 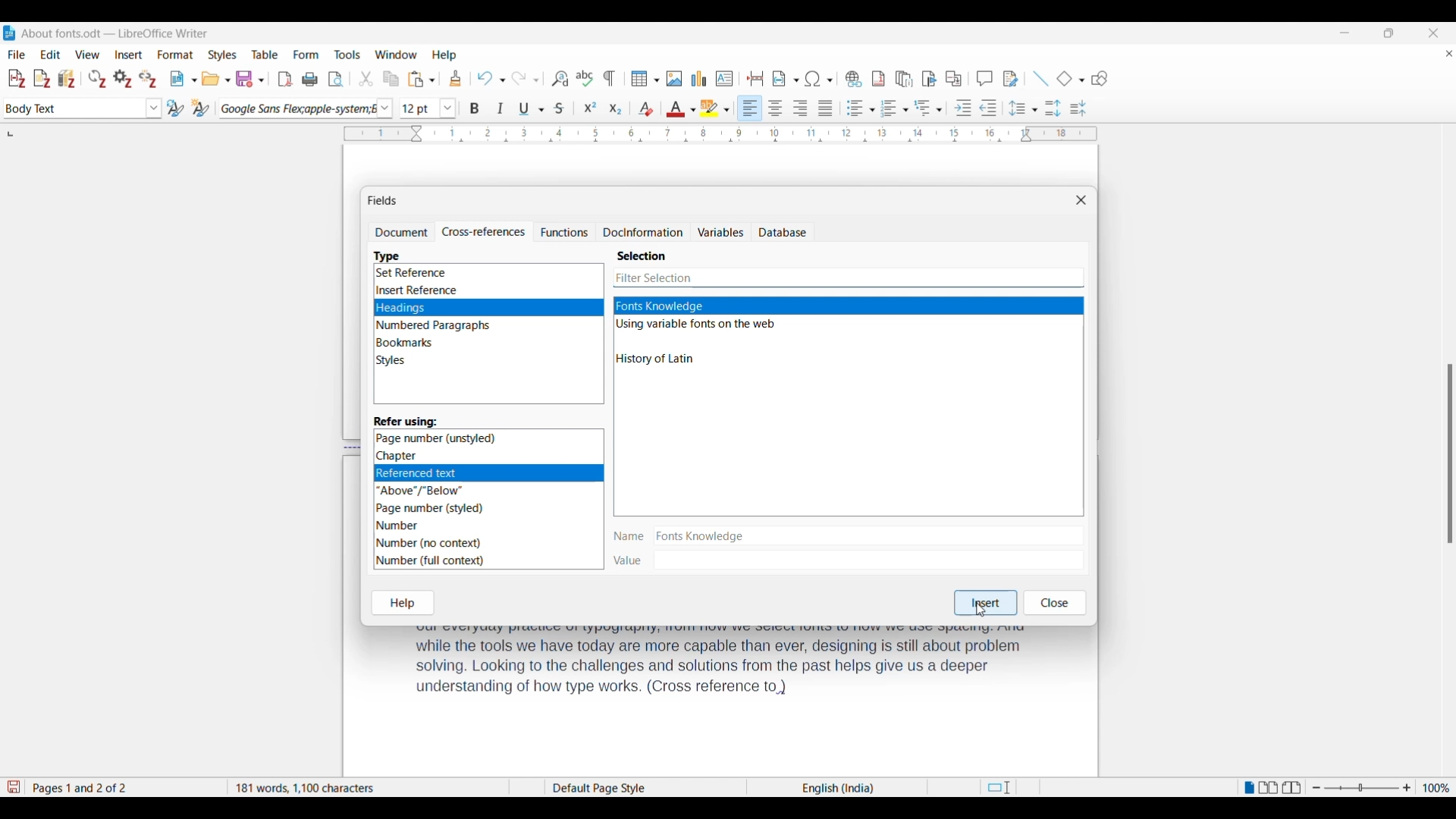 What do you see at coordinates (642, 256) in the screenshot?
I see `Section title` at bounding box center [642, 256].